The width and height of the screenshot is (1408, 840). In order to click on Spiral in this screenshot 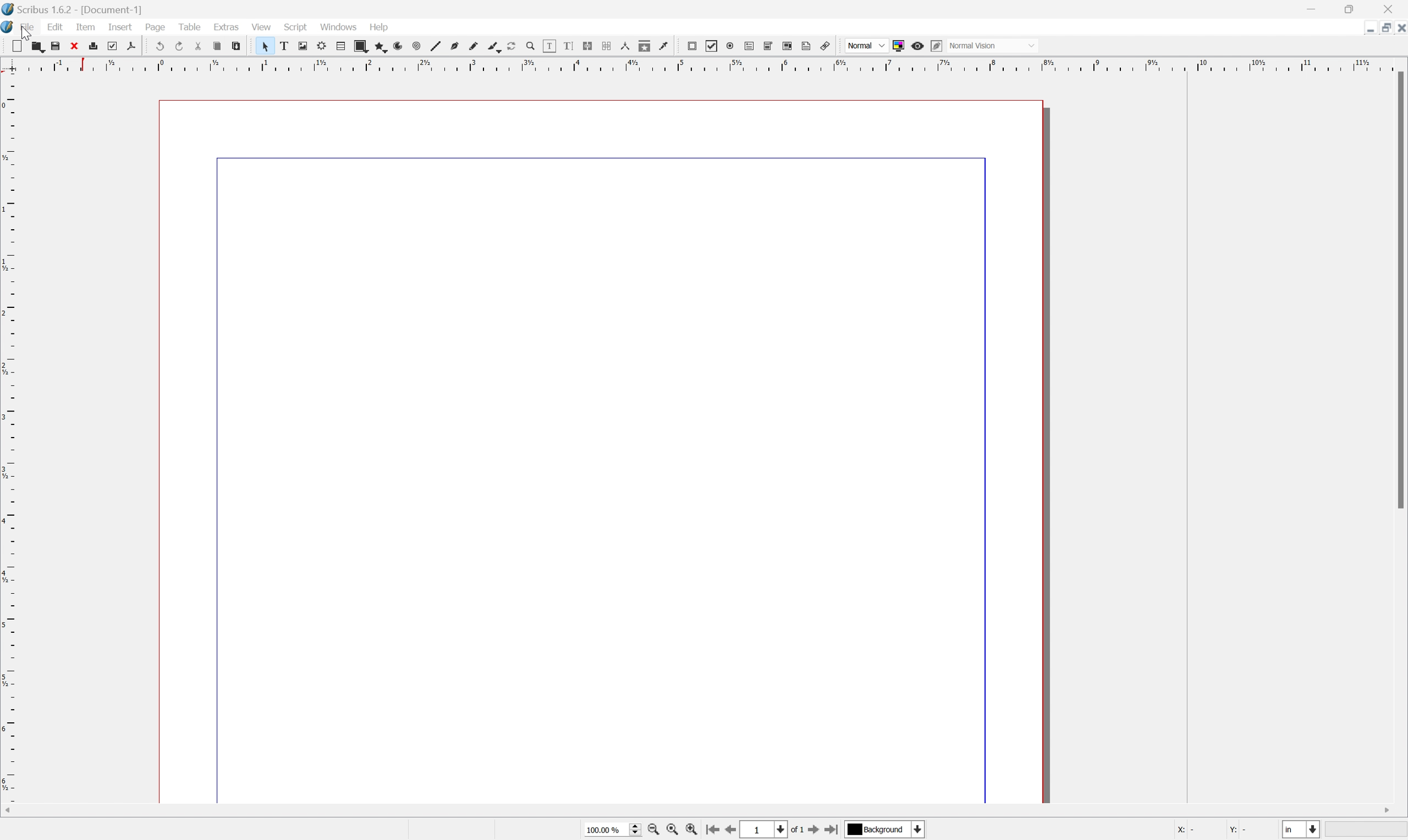, I will do `click(415, 46)`.